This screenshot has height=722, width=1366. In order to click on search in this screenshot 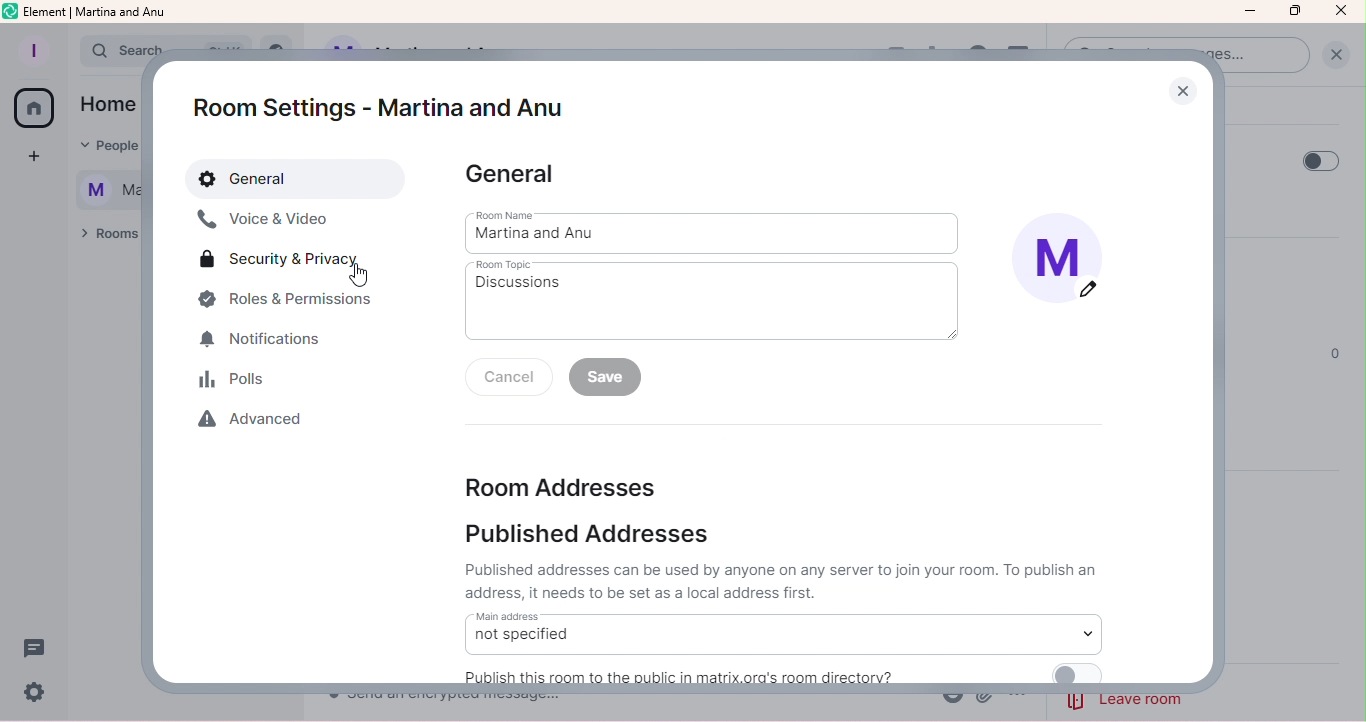, I will do `click(129, 51)`.